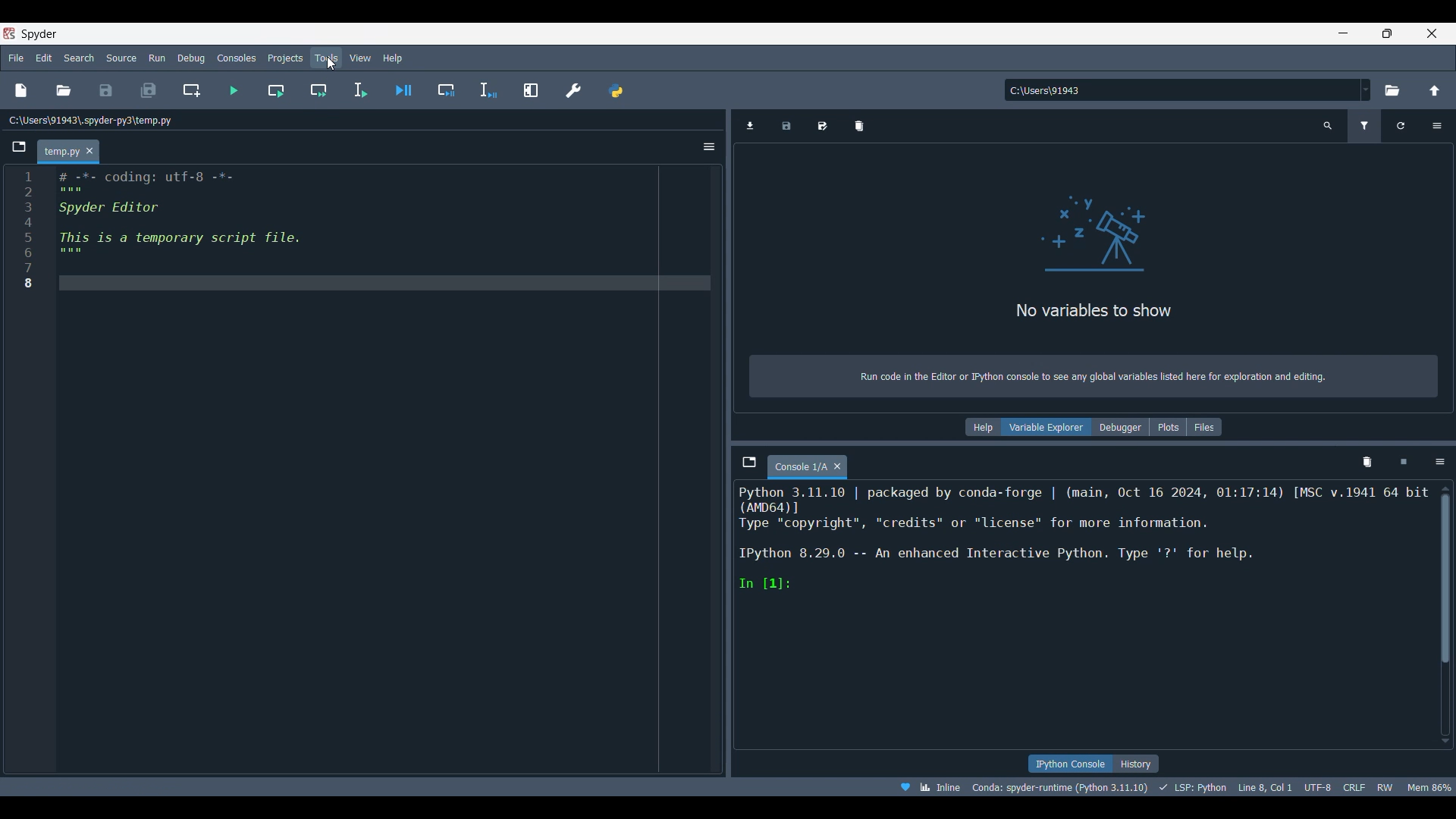 The height and width of the screenshot is (819, 1456). Describe the element at coordinates (157, 56) in the screenshot. I see `Run menu` at that location.